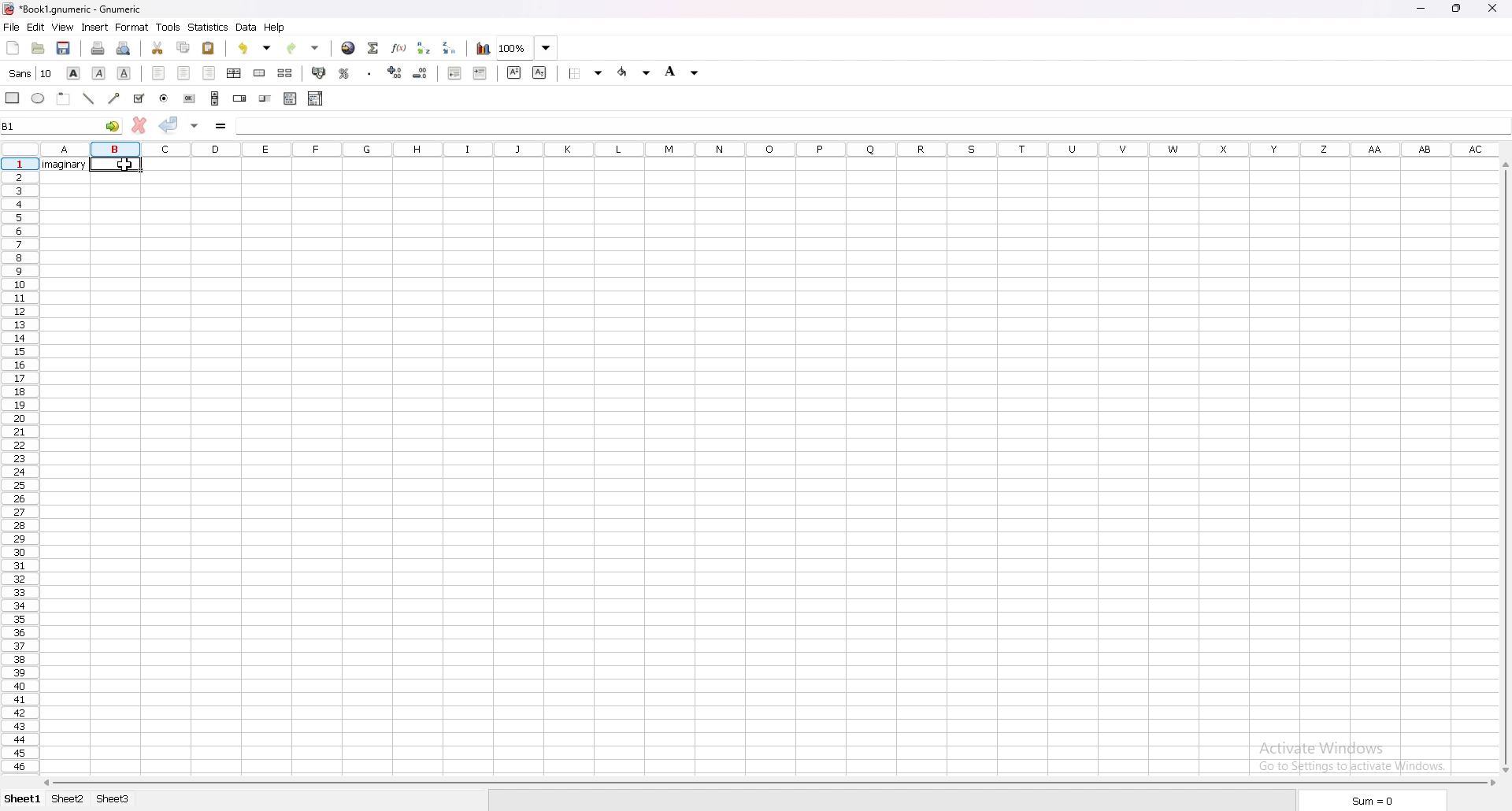 The width and height of the screenshot is (1512, 811). I want to click on decrease decimals, so click(421, 73).